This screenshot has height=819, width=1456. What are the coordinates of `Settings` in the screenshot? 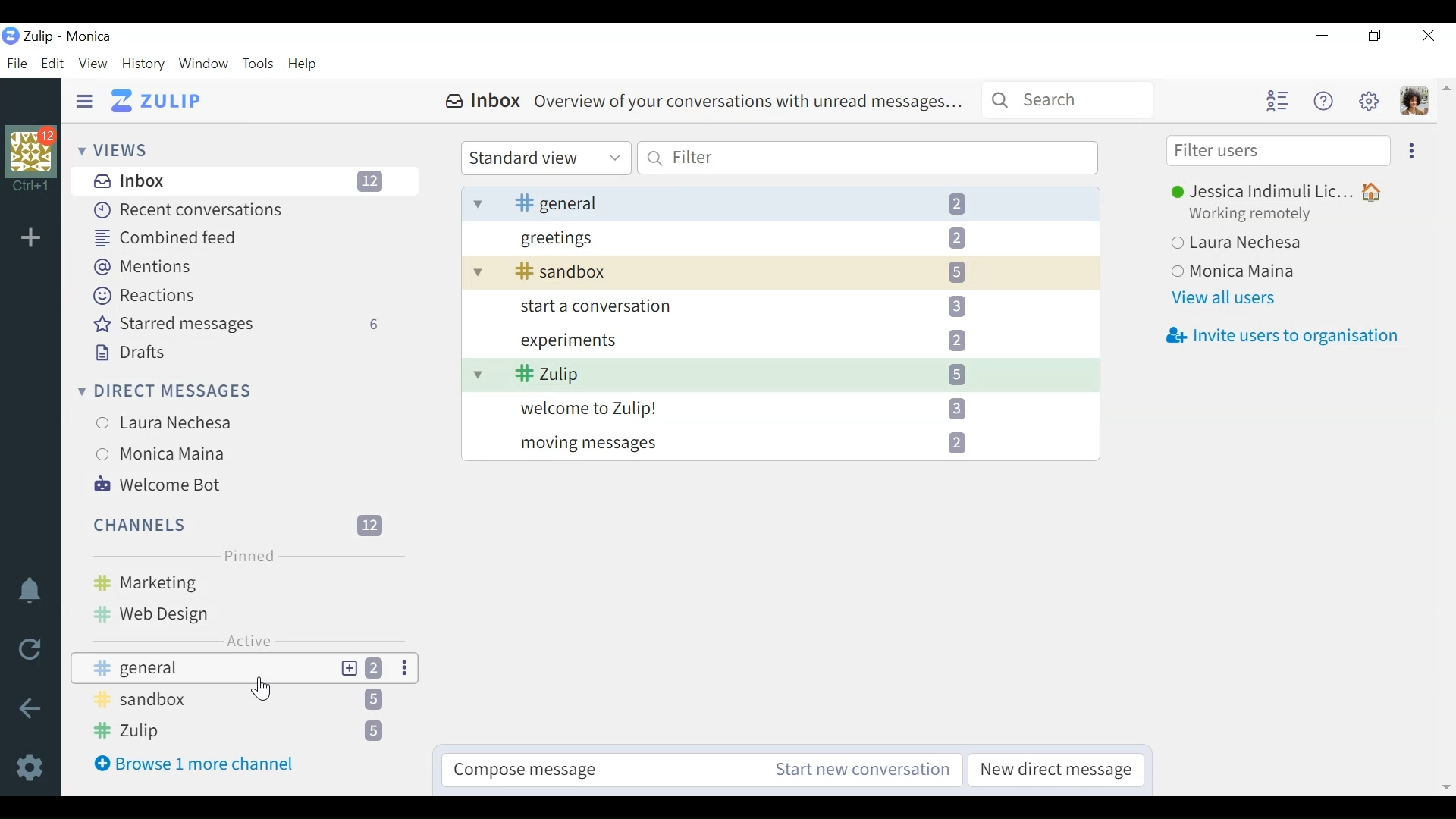 It's located at (33, 766).